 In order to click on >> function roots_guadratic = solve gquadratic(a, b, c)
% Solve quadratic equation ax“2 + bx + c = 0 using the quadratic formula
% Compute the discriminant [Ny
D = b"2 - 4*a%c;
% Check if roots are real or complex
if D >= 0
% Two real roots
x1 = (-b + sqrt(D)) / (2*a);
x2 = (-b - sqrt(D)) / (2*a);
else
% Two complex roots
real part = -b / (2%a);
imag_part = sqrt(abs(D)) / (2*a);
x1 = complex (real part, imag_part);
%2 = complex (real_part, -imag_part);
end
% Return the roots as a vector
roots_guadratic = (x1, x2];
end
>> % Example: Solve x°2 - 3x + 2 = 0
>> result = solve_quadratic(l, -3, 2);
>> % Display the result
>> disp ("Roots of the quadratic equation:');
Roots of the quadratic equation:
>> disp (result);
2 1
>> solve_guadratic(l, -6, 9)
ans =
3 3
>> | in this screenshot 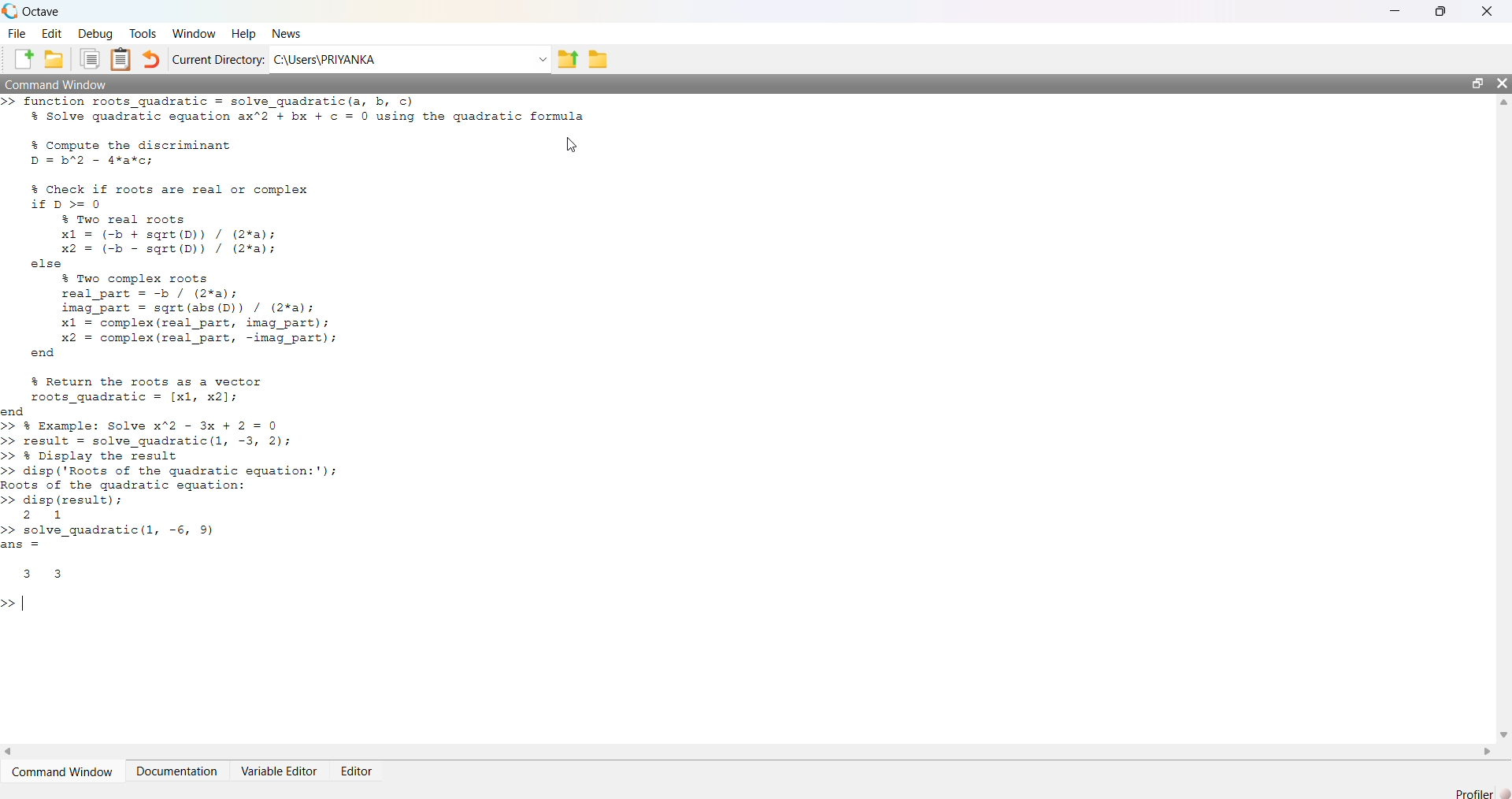, I will do `click(373, 363)`.